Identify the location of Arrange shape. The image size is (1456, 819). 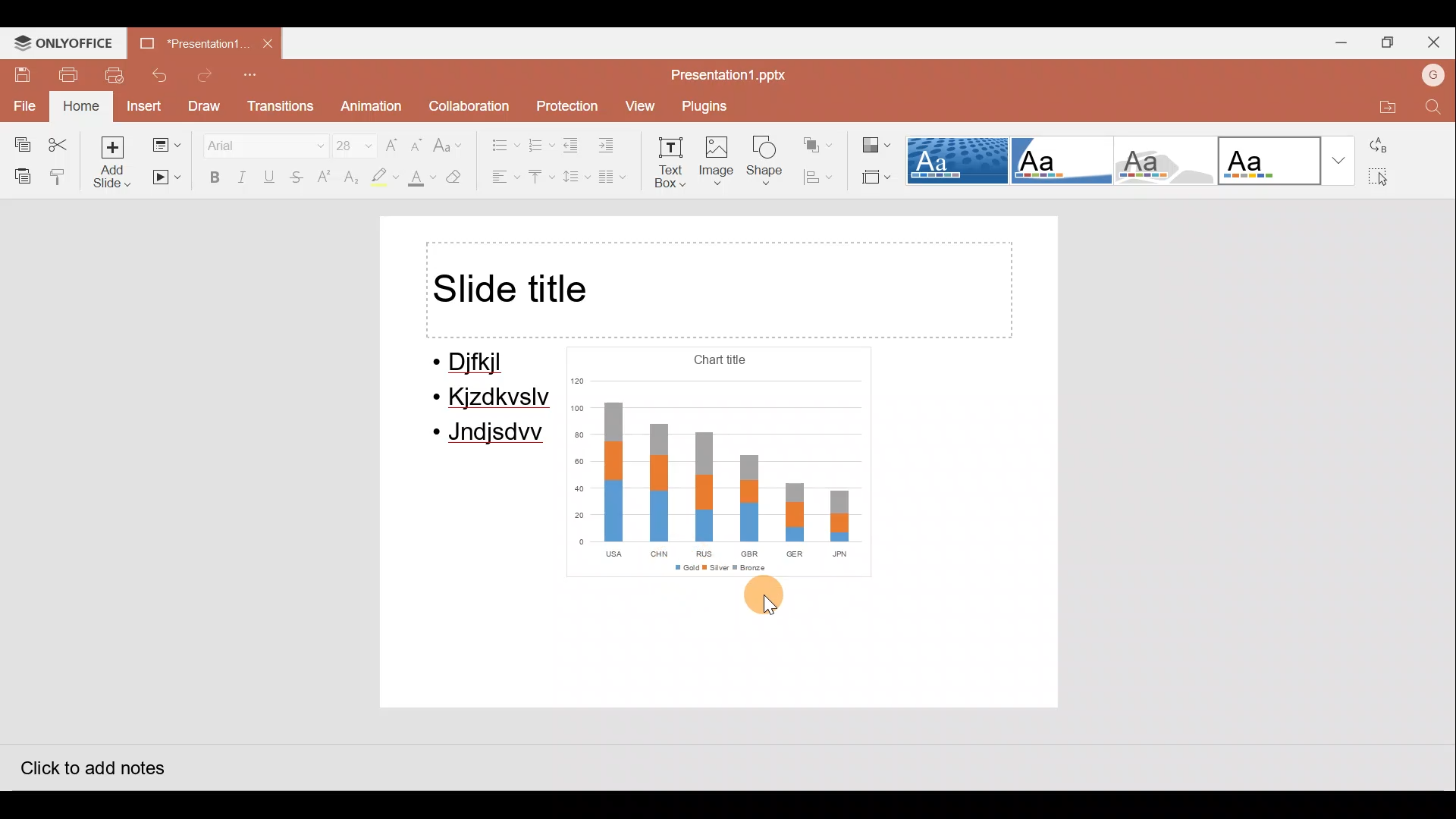
(820, 140).